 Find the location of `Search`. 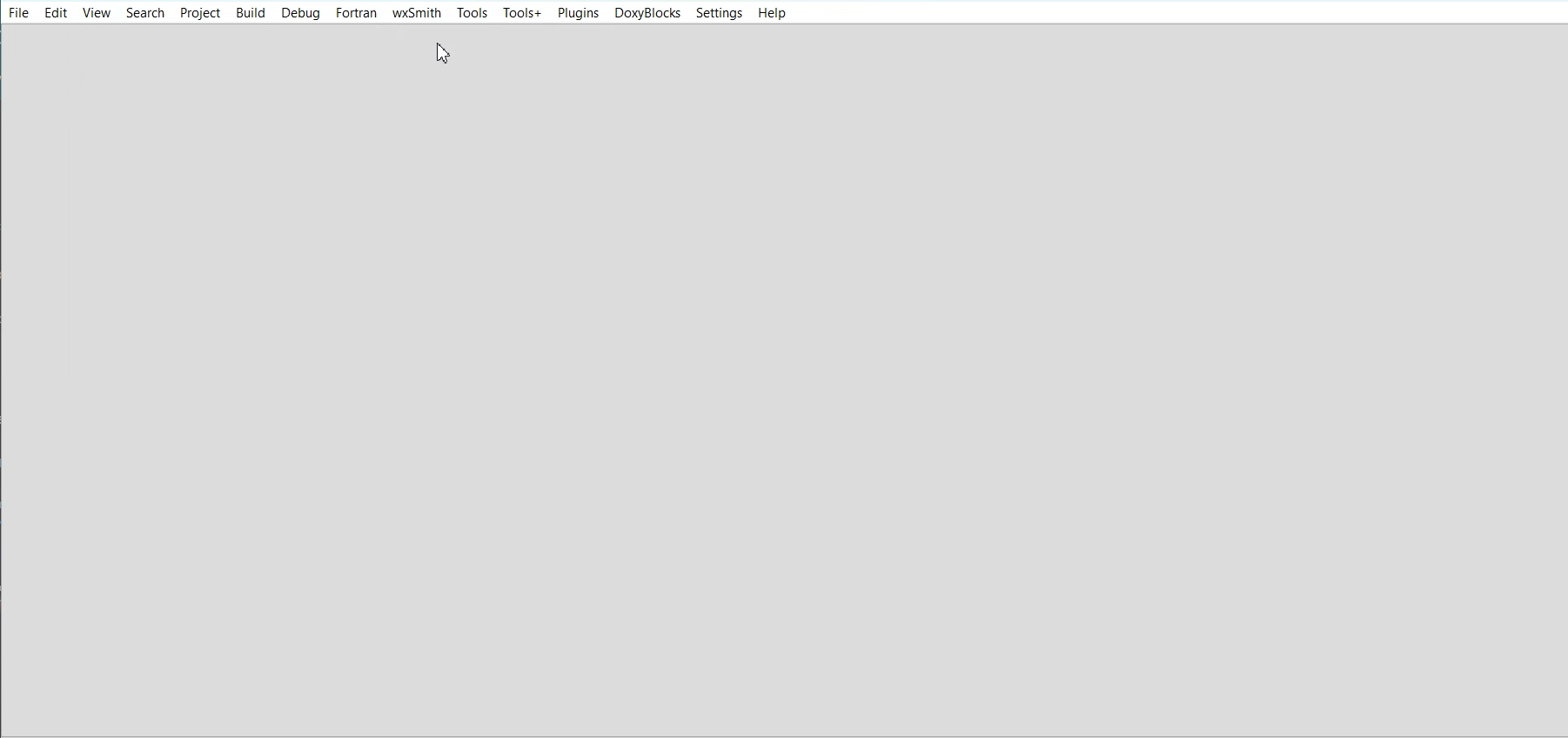

Search is located at coordinates (145, 12).